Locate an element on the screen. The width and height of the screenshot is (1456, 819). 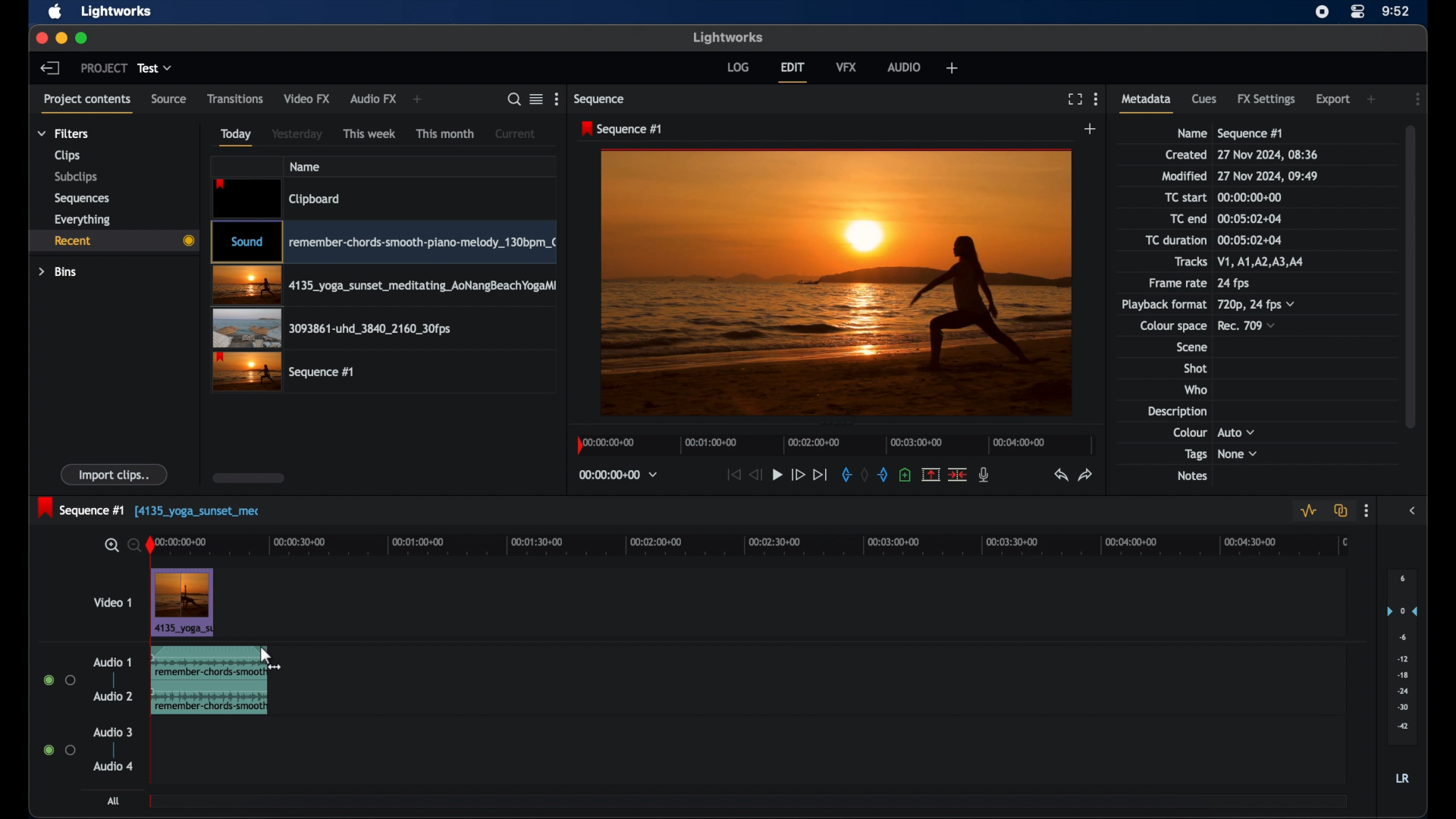
more options is located at coordinates (1367, 511).